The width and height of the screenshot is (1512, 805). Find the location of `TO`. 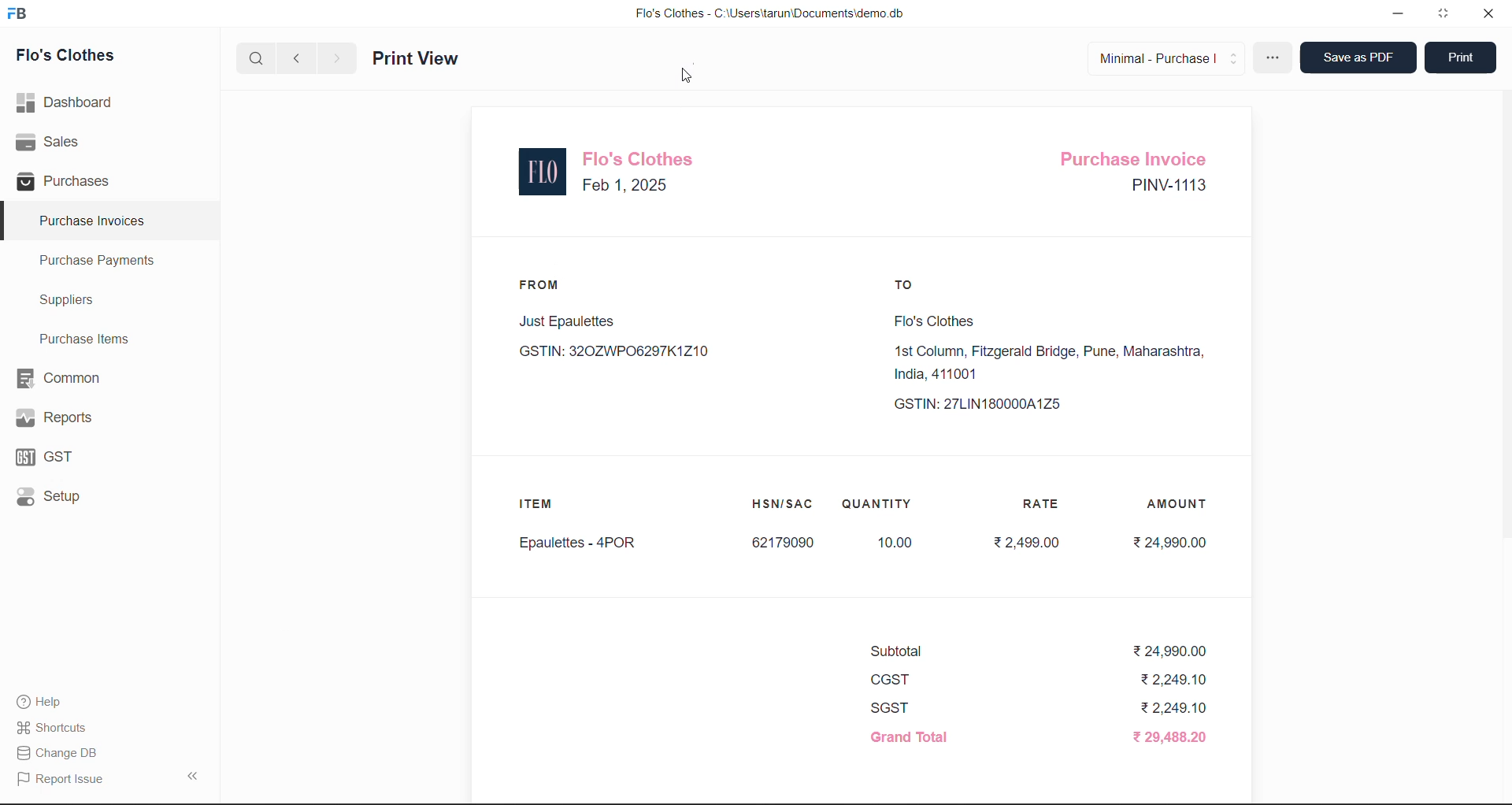

TO is located at coordinates (910, 289).